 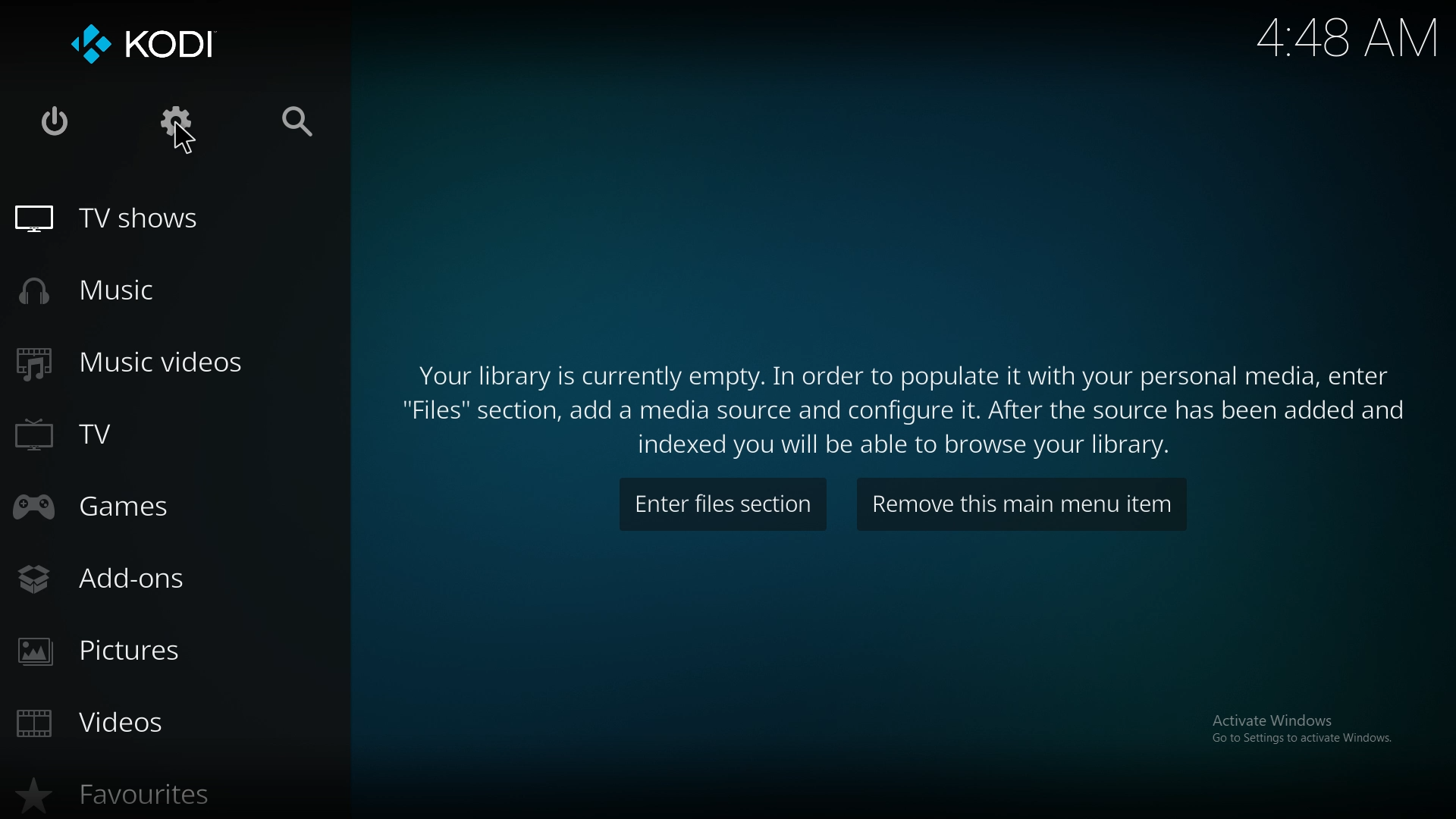 I want to click on favourites, so click(x=124, y=797).